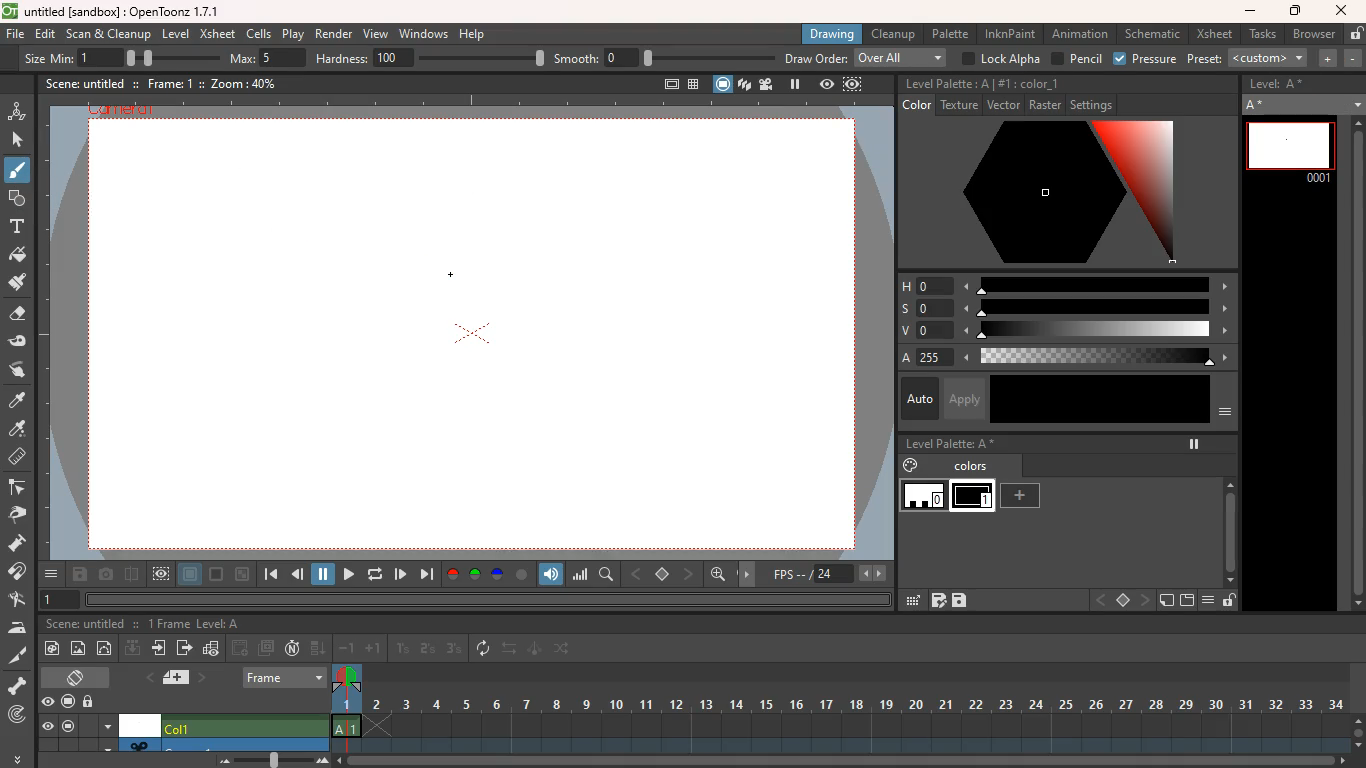  What do you see at coordinates (79, 647) in the screenshot?
I see `image` at bounding box center [79, 647].